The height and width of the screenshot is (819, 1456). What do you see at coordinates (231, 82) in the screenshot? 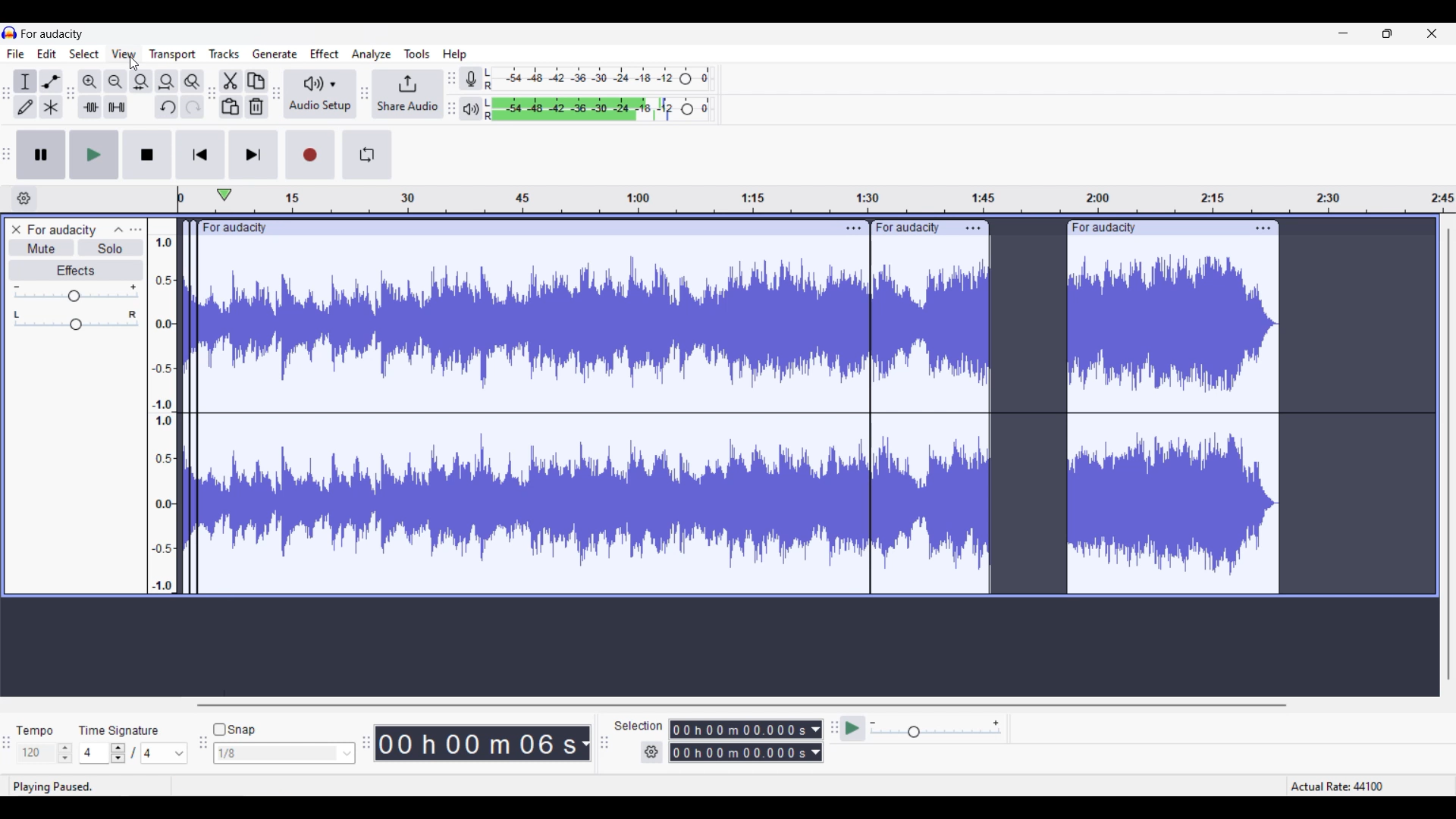
I see `Cut` at bounding box center [231, 82].